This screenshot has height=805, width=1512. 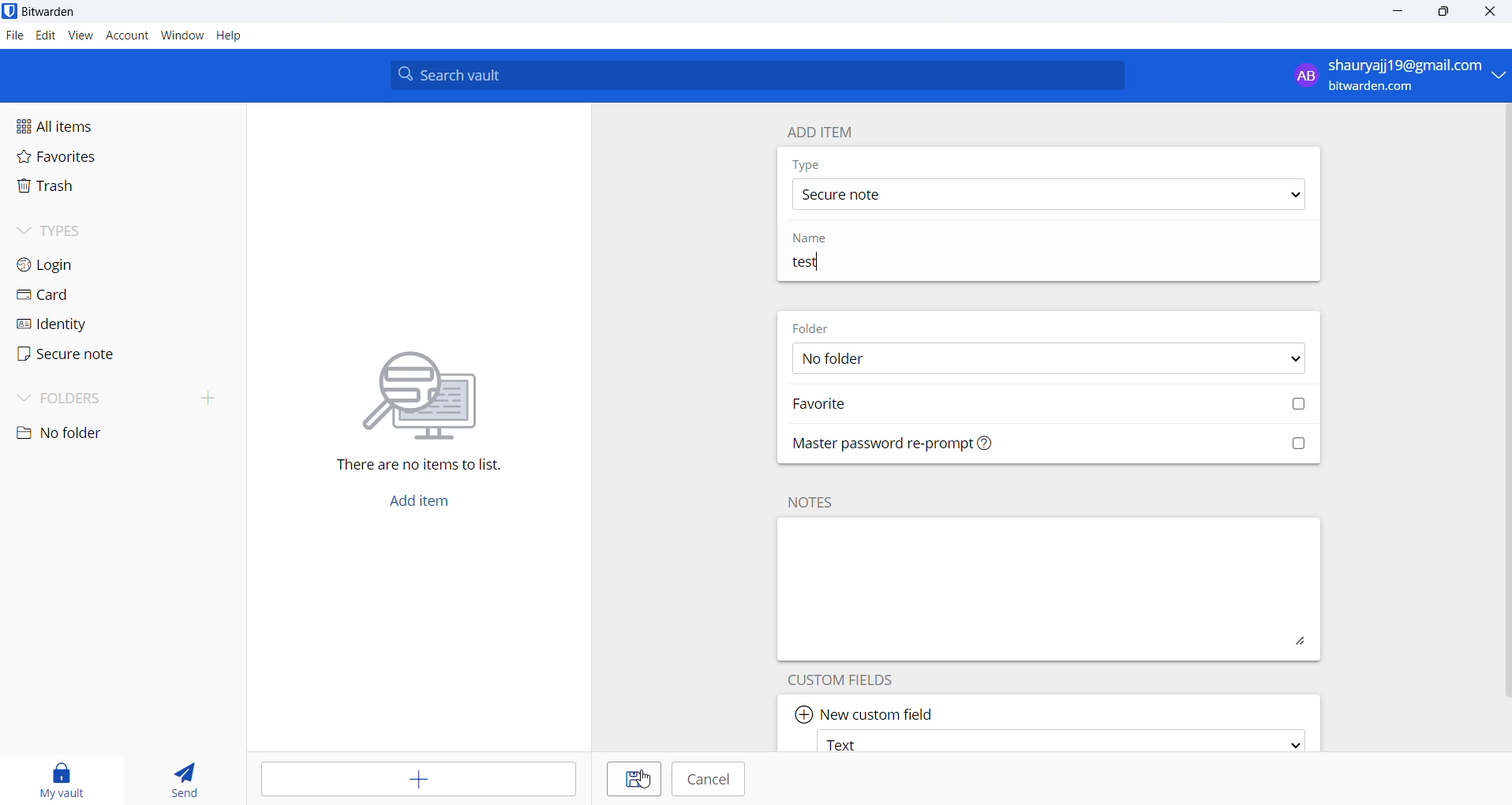 What do you see at coordinates (1495, 12) in the screenshot?
I see `close` at bounding box center [1495, 12].